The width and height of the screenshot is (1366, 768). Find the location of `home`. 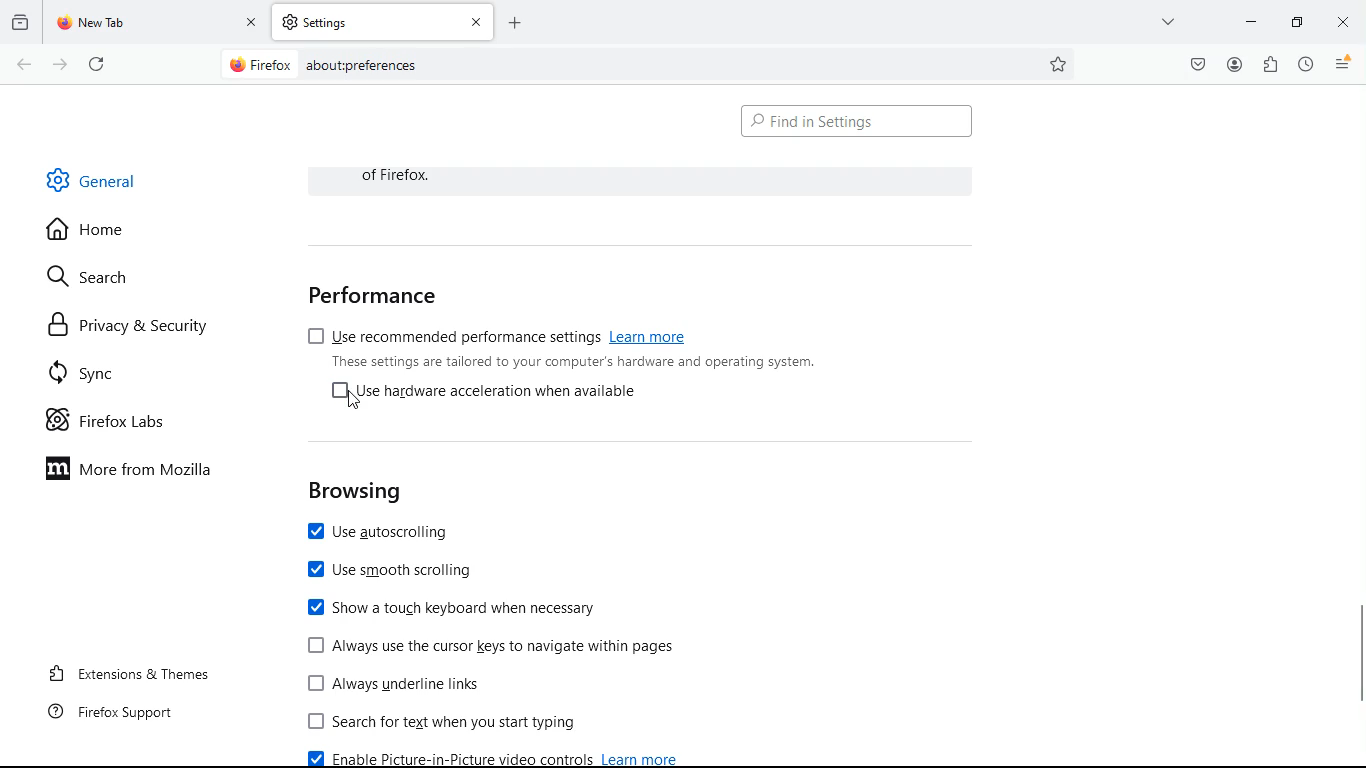

home is located at coordinates (95, 232).